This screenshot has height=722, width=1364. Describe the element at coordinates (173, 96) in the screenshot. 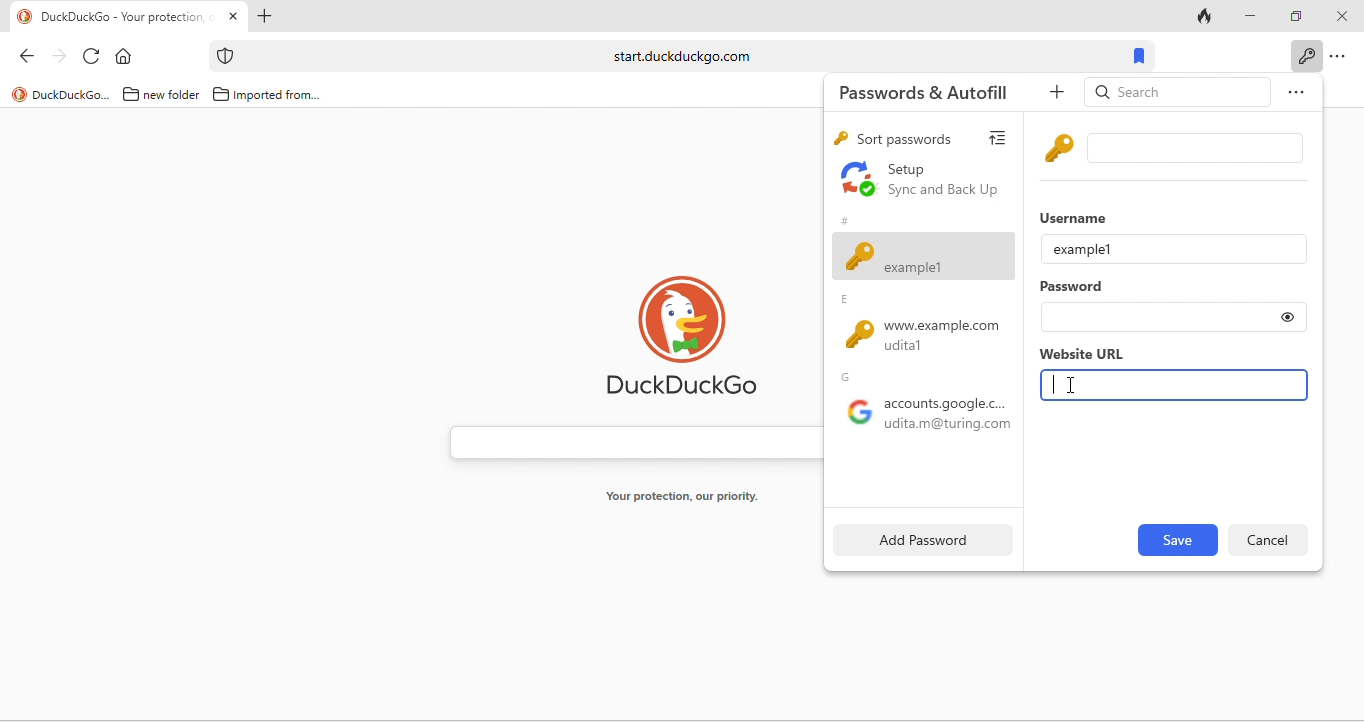

I see `new folder` at that location.